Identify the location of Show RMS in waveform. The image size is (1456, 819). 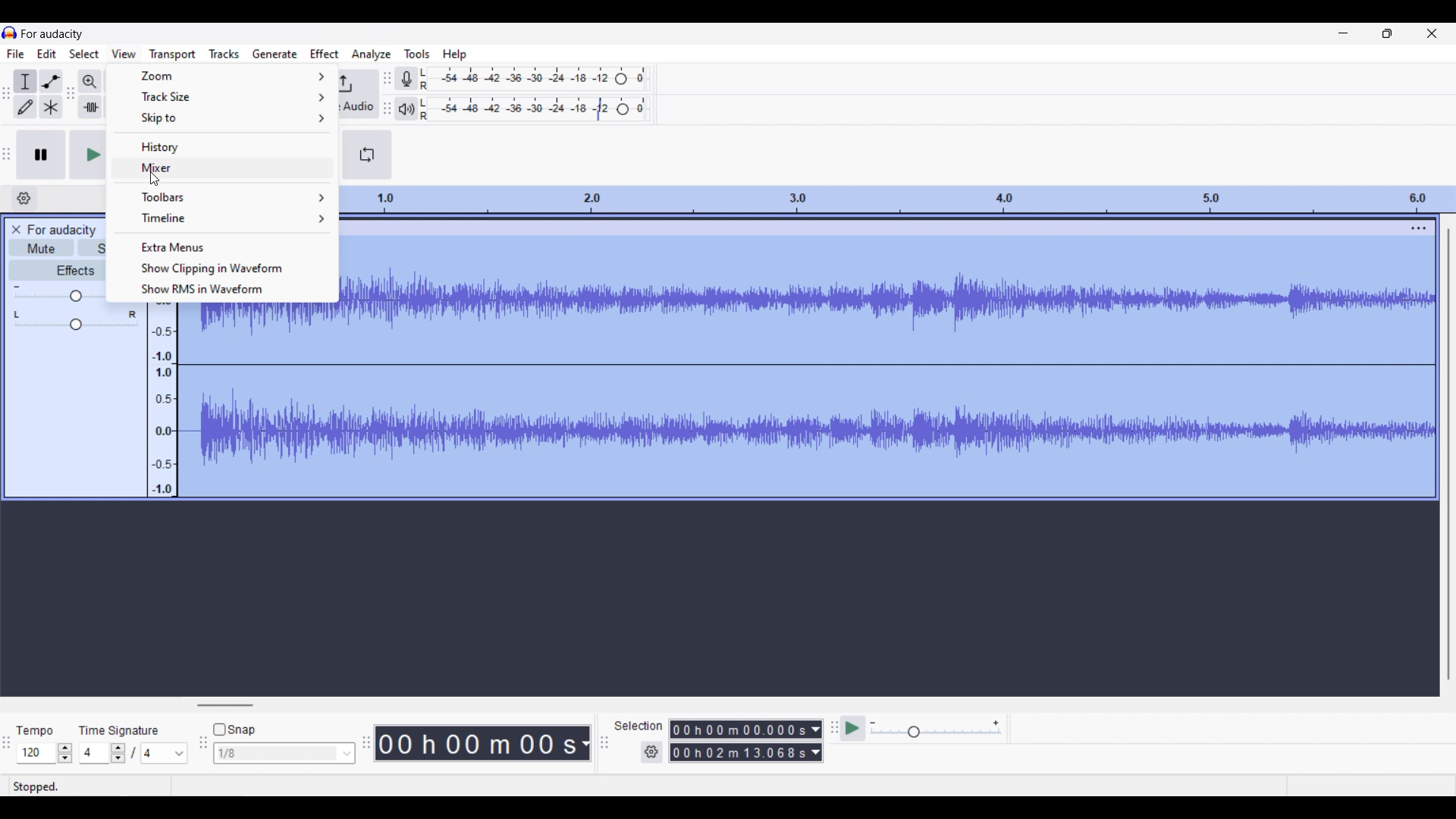
(221, 289).